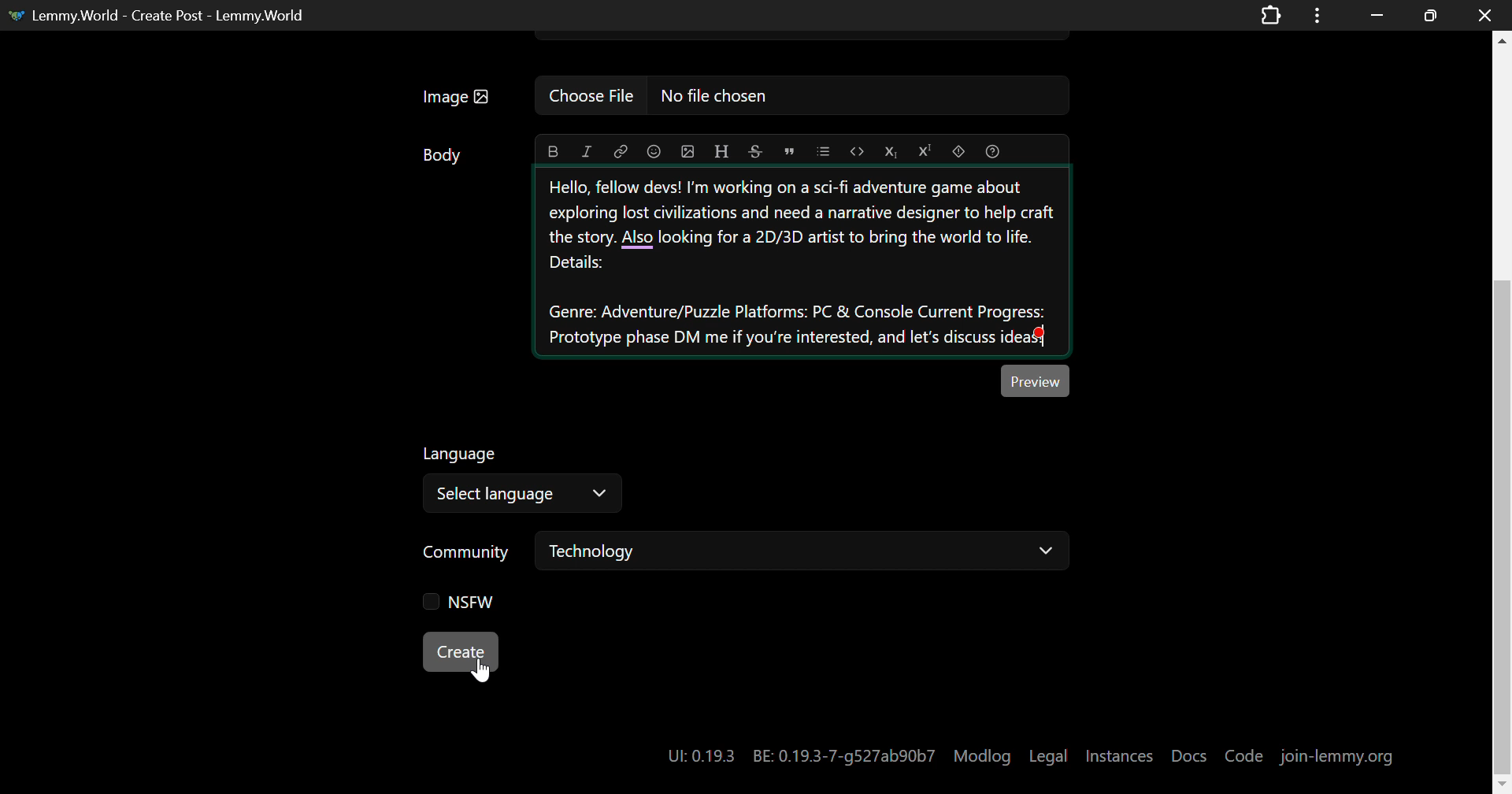  Describe the element at coordinates (1319, 15) in the screenshot. I see `Application Menu` at that location.